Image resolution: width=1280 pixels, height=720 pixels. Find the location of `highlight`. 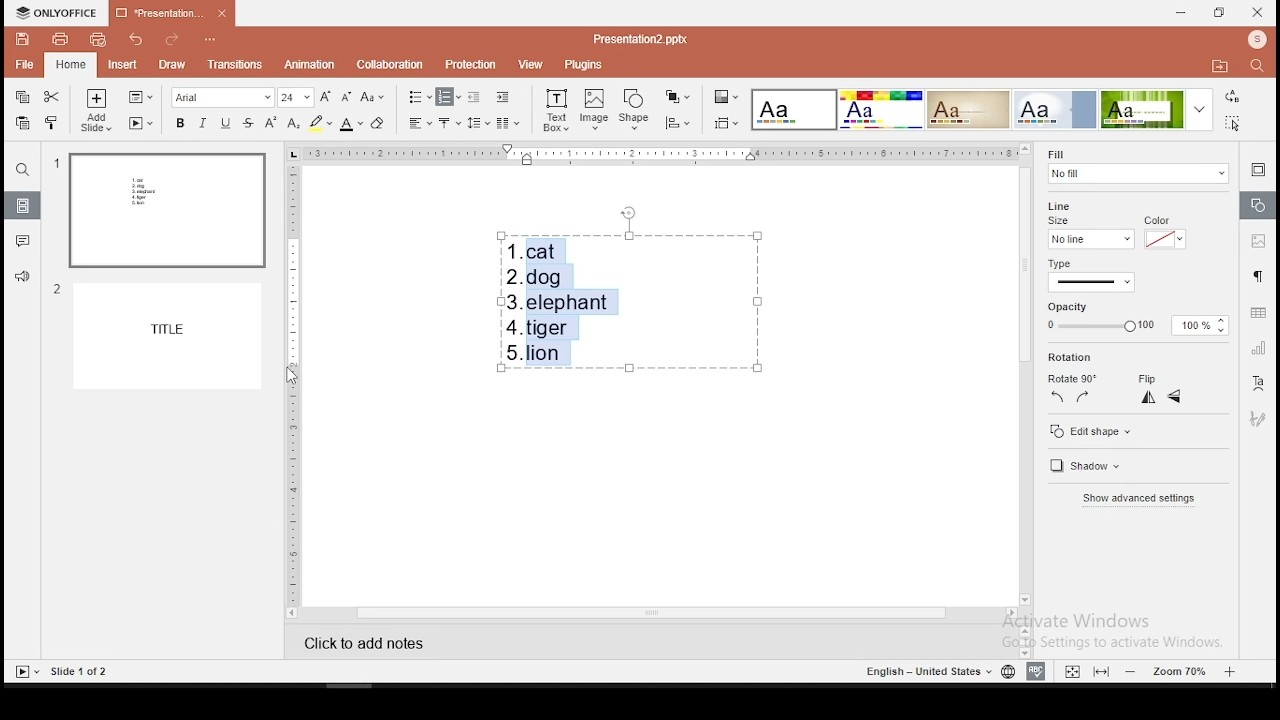

highlight is located at coordinates (320, 123).